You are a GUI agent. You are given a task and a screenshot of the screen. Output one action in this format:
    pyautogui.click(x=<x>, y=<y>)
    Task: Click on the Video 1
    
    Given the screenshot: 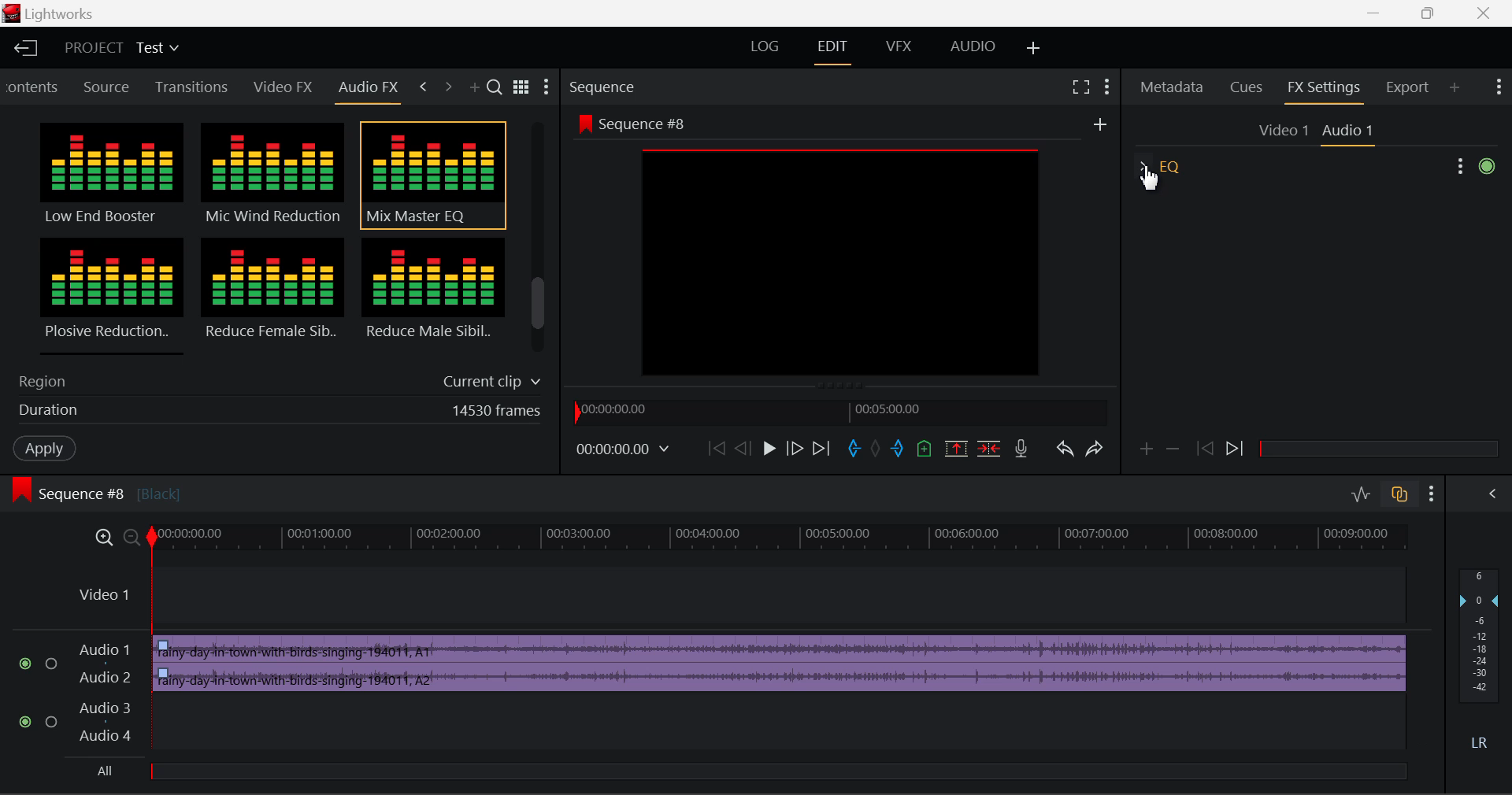 What is the action you would take?
    pyautogui.click(x=1284, y=131)
    